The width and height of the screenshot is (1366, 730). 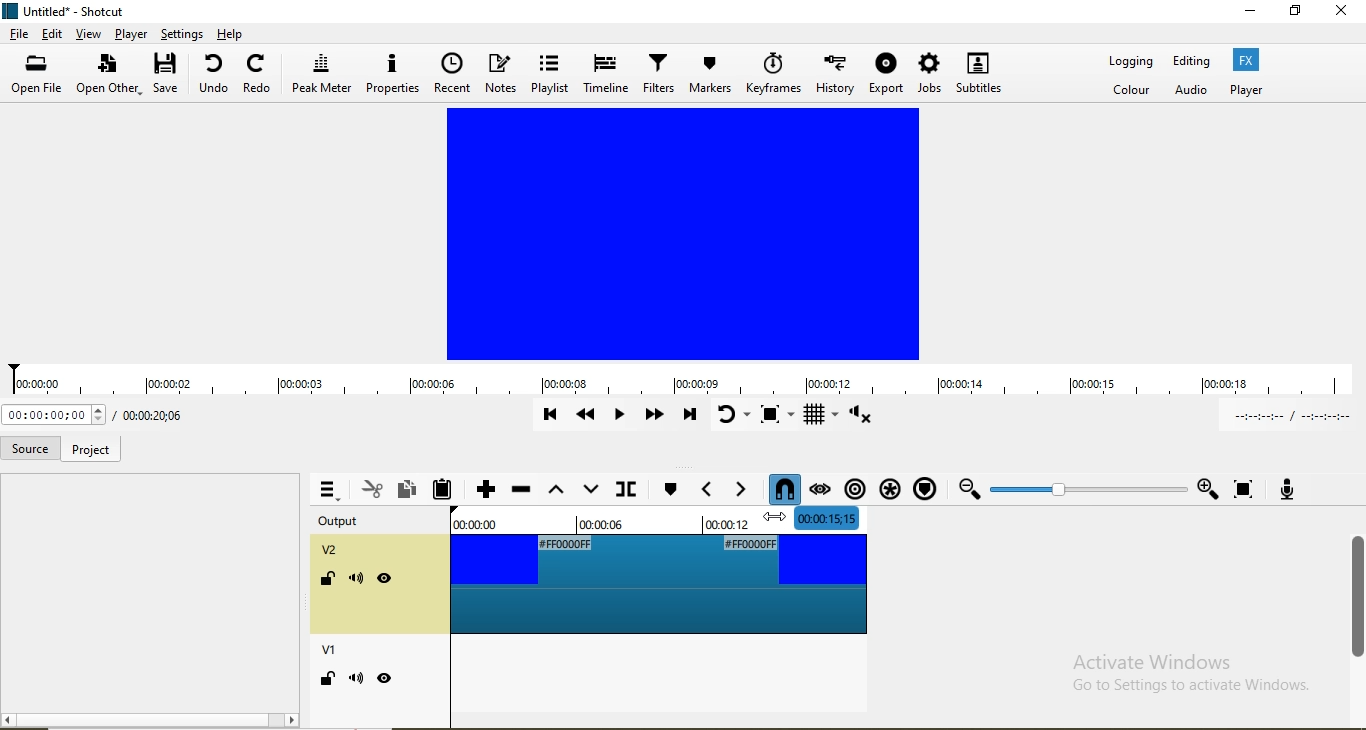 What do you see at coordinates (1189, 675) in the screenshot?
I see `Activate Windows
Go to Settings to activate Windows.` at bounding box center [1189, 675].